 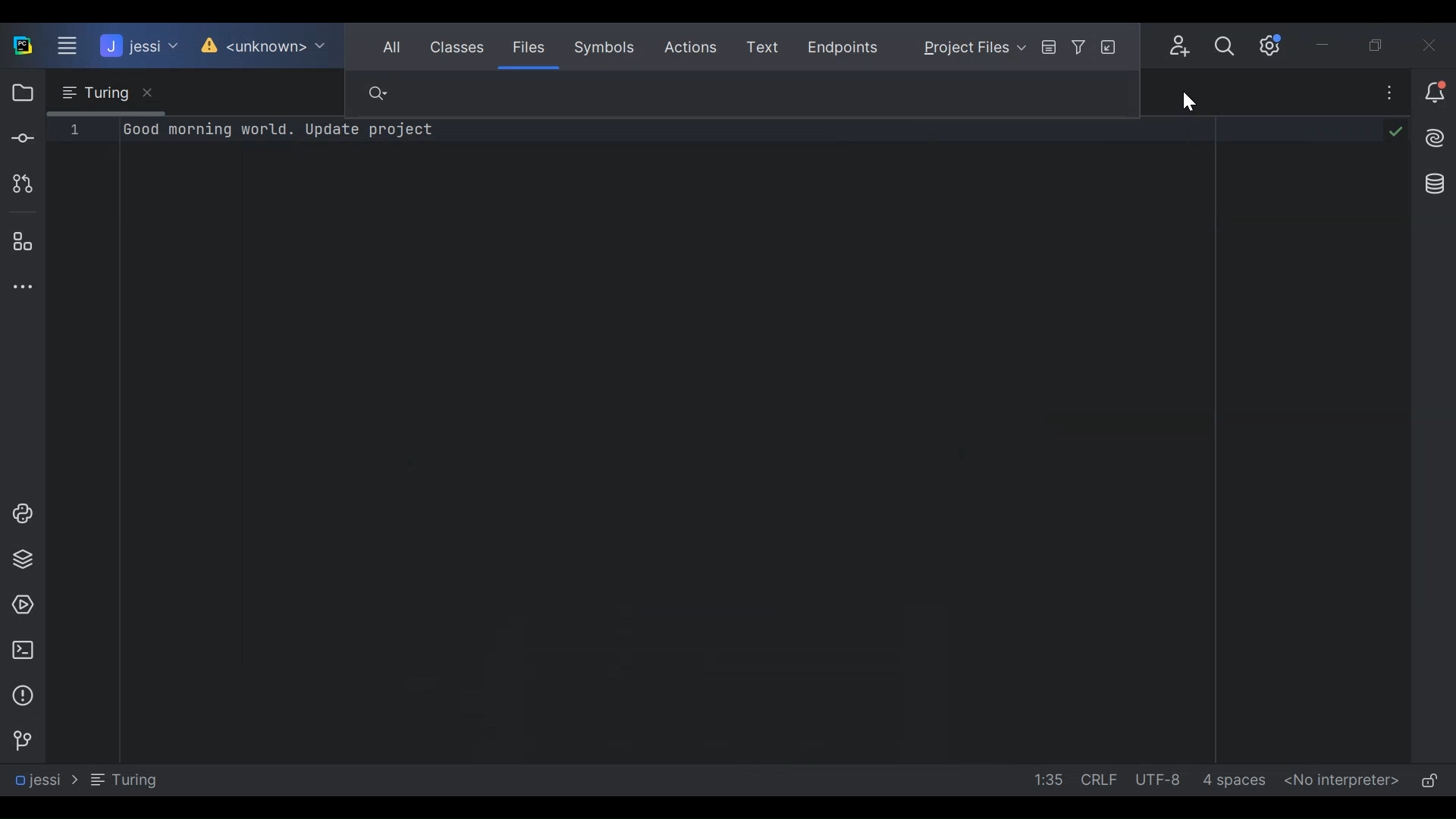 I want to click on Symbols, so click(x=606, y=48).